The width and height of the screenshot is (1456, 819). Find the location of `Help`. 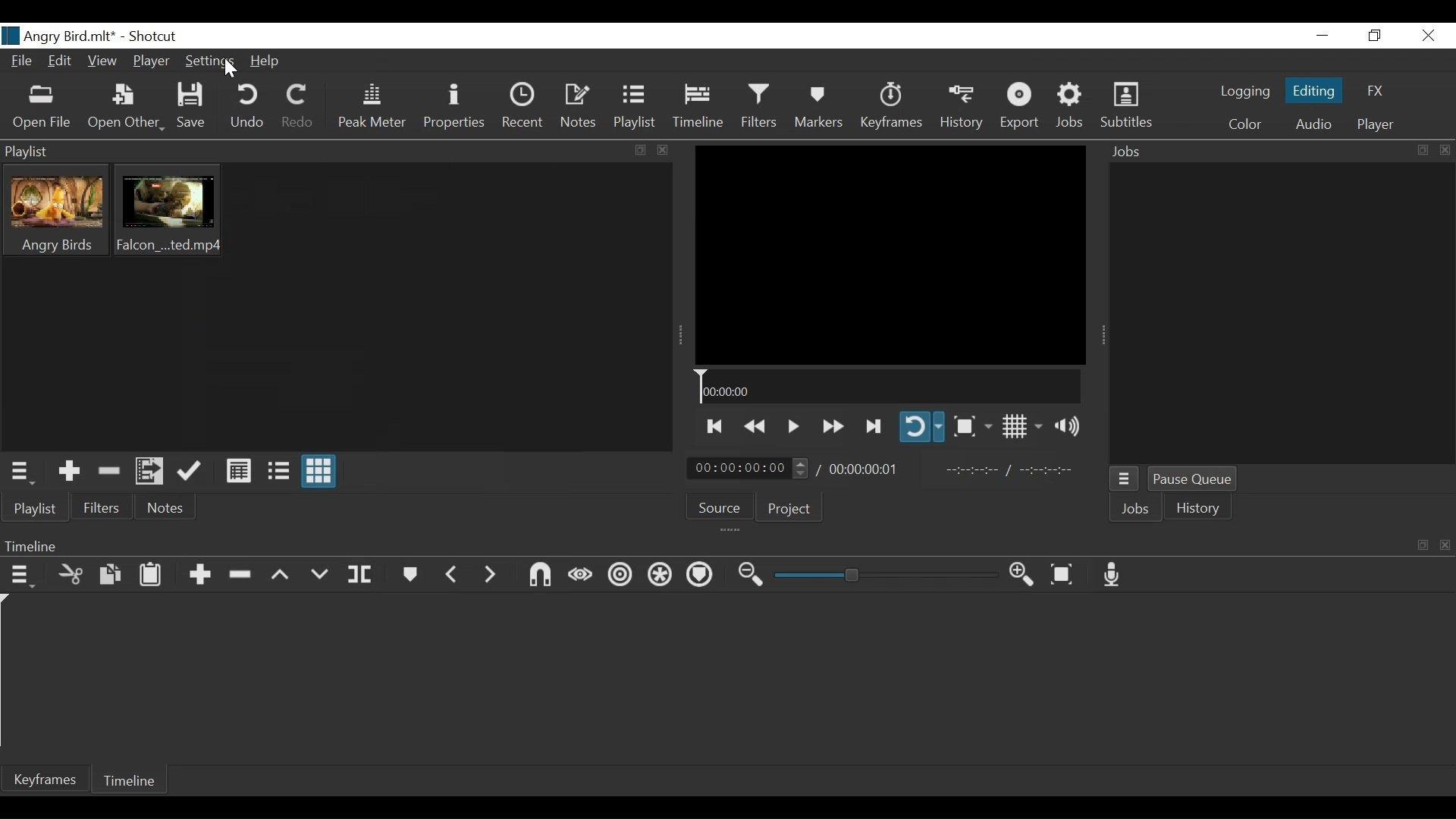

Help is located at coordinates (266, 63).